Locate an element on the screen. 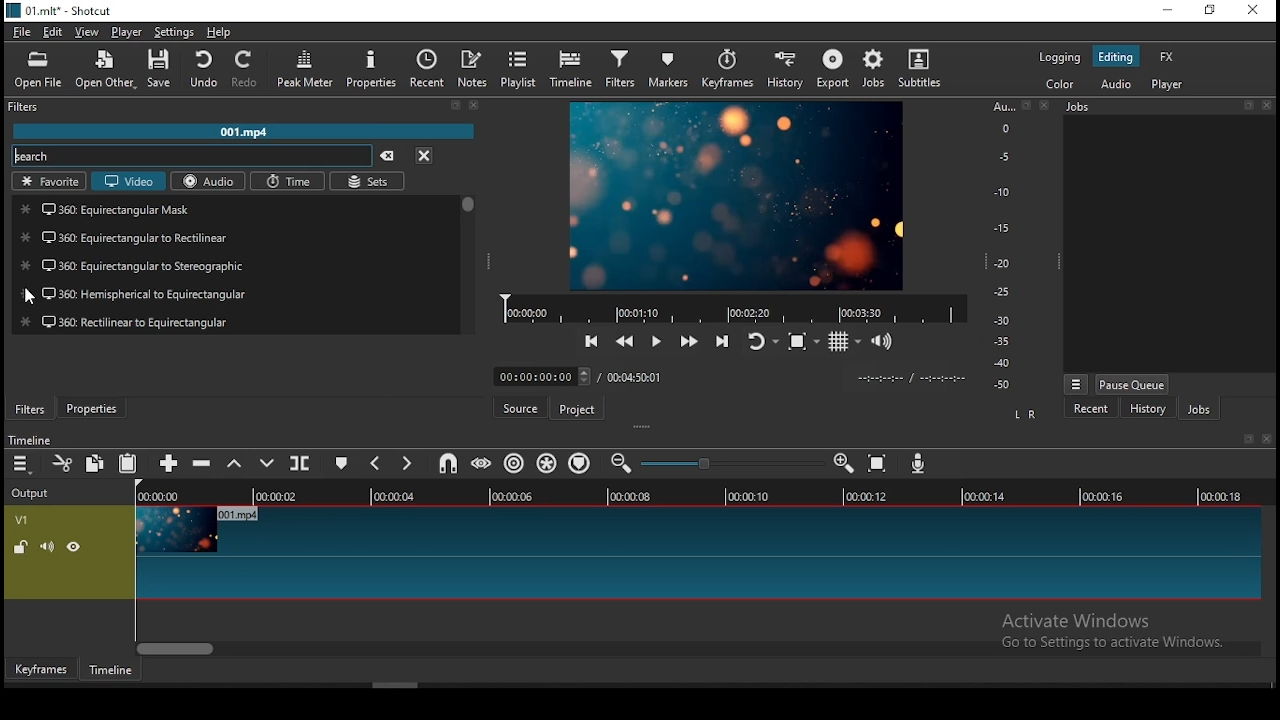 This screenshot has height=720, width=1280. Jobs is located at coordinates (873, 68).